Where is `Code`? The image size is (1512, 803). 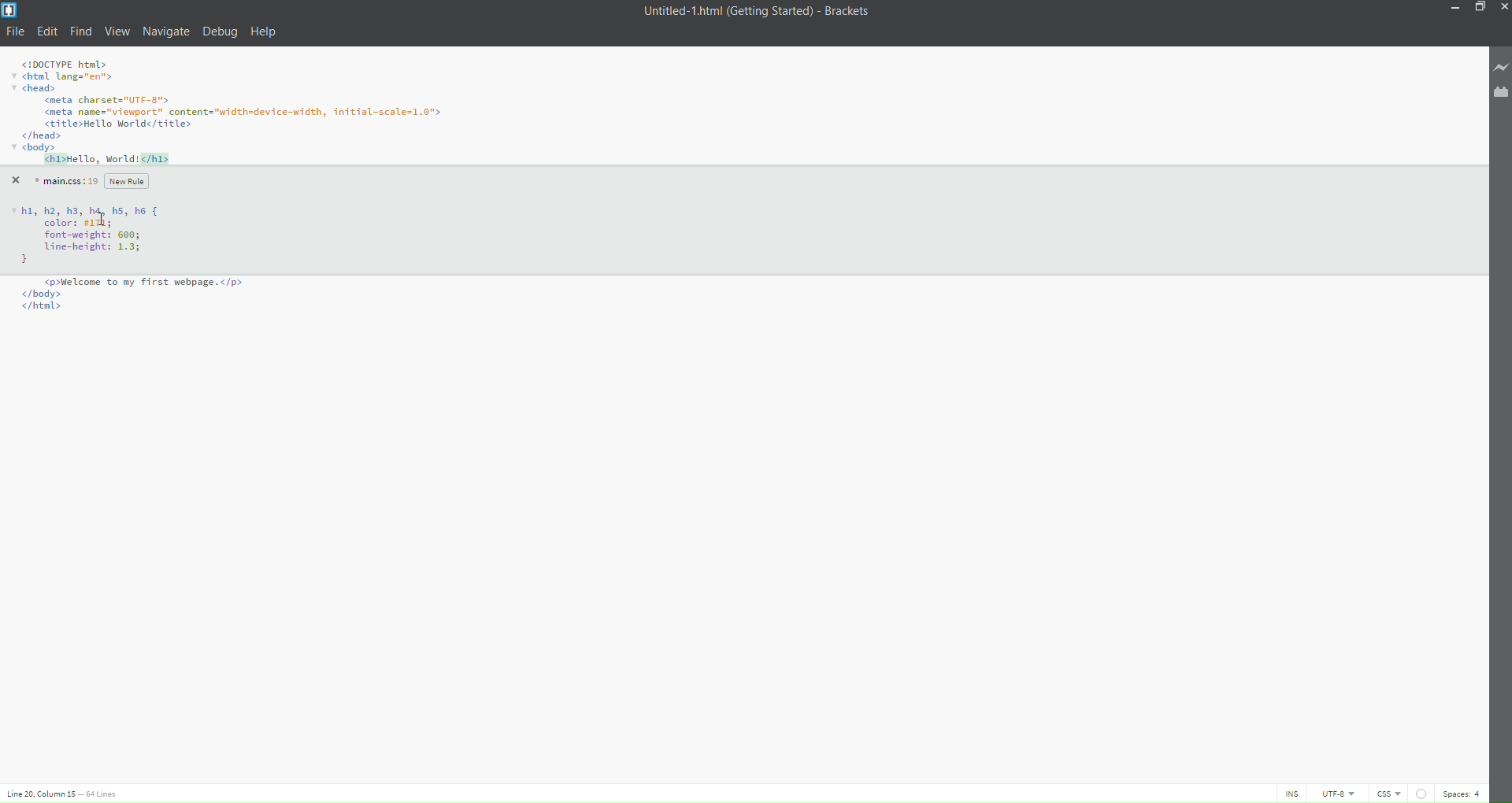
Code is located at coordinates (84, 209).